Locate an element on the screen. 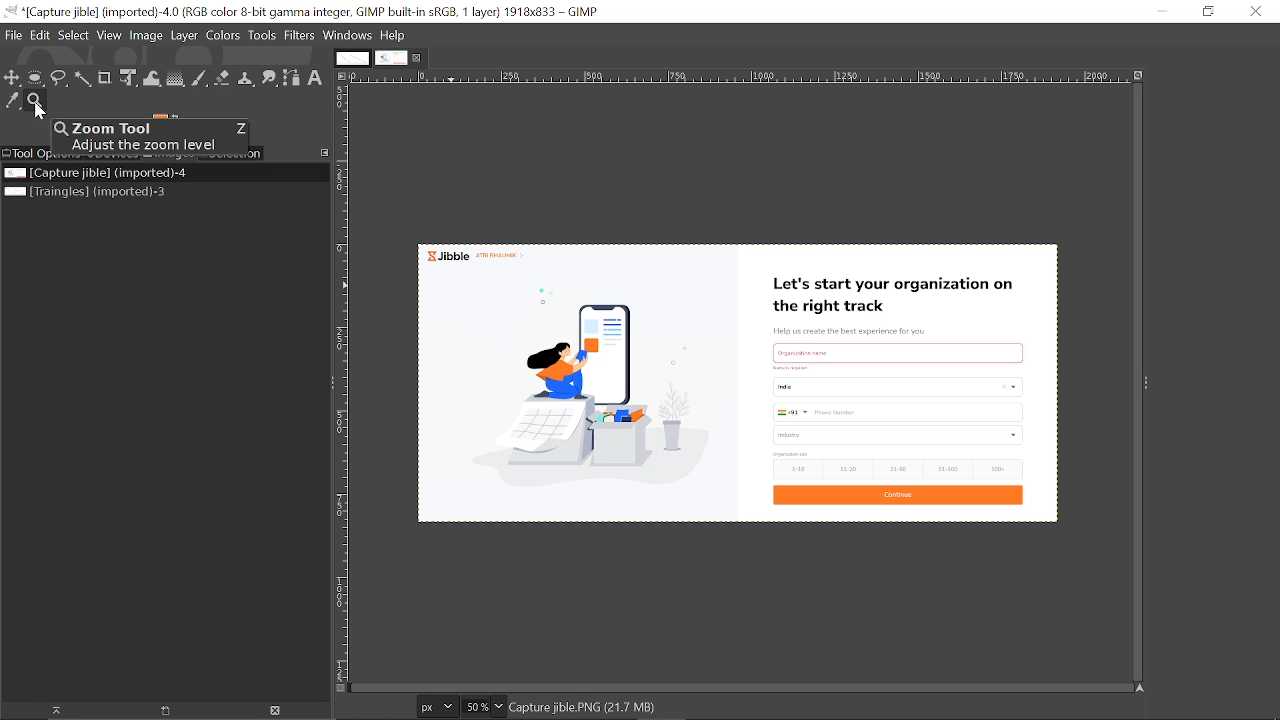 The height and width of the screenshot is (720, 1280). Crop tool is located at coordinates (105, 77).